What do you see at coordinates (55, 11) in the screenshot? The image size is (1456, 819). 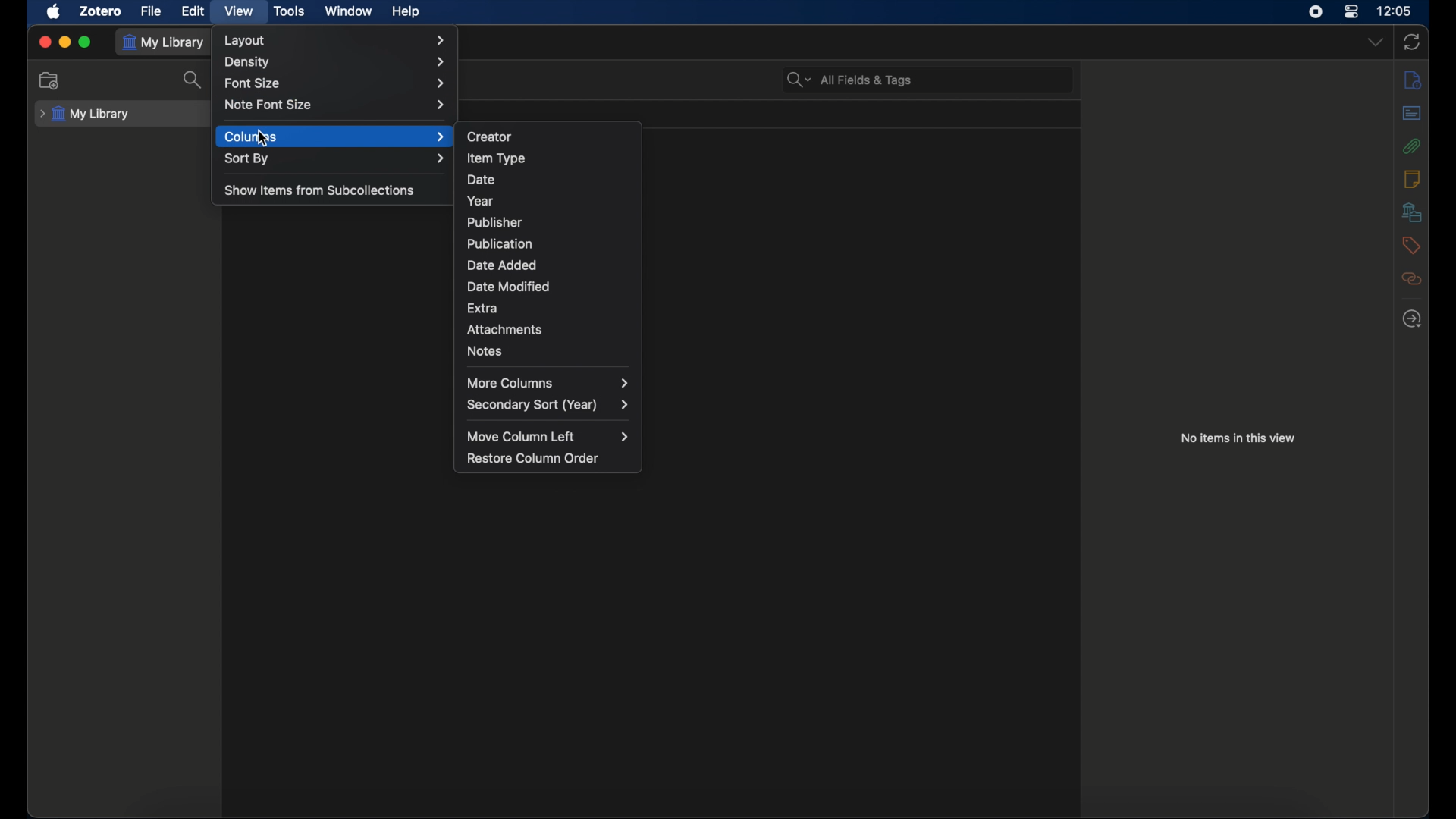 I see `apple` at bounding box center [55, 11].